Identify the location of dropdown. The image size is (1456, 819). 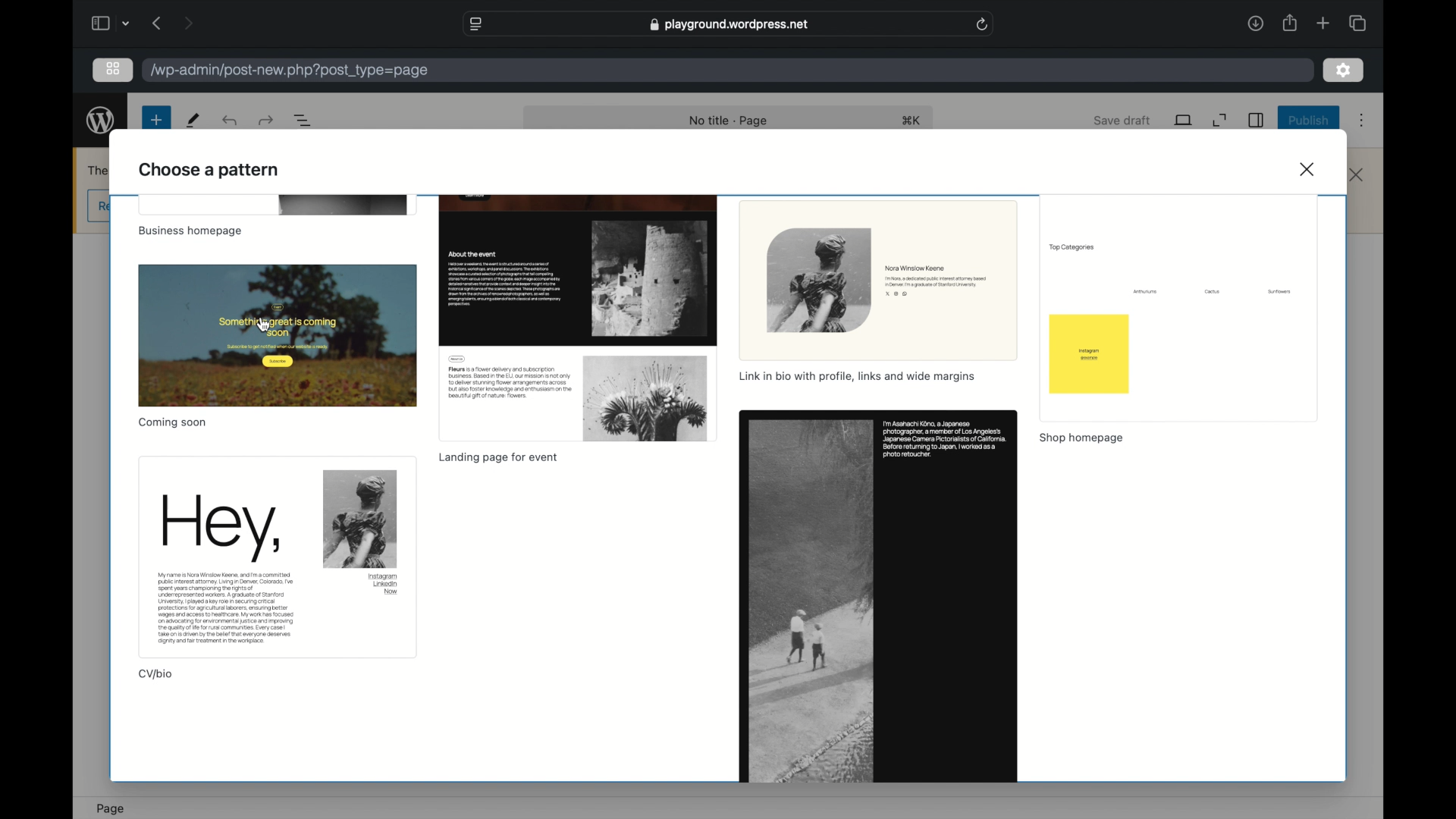
(127, 24).